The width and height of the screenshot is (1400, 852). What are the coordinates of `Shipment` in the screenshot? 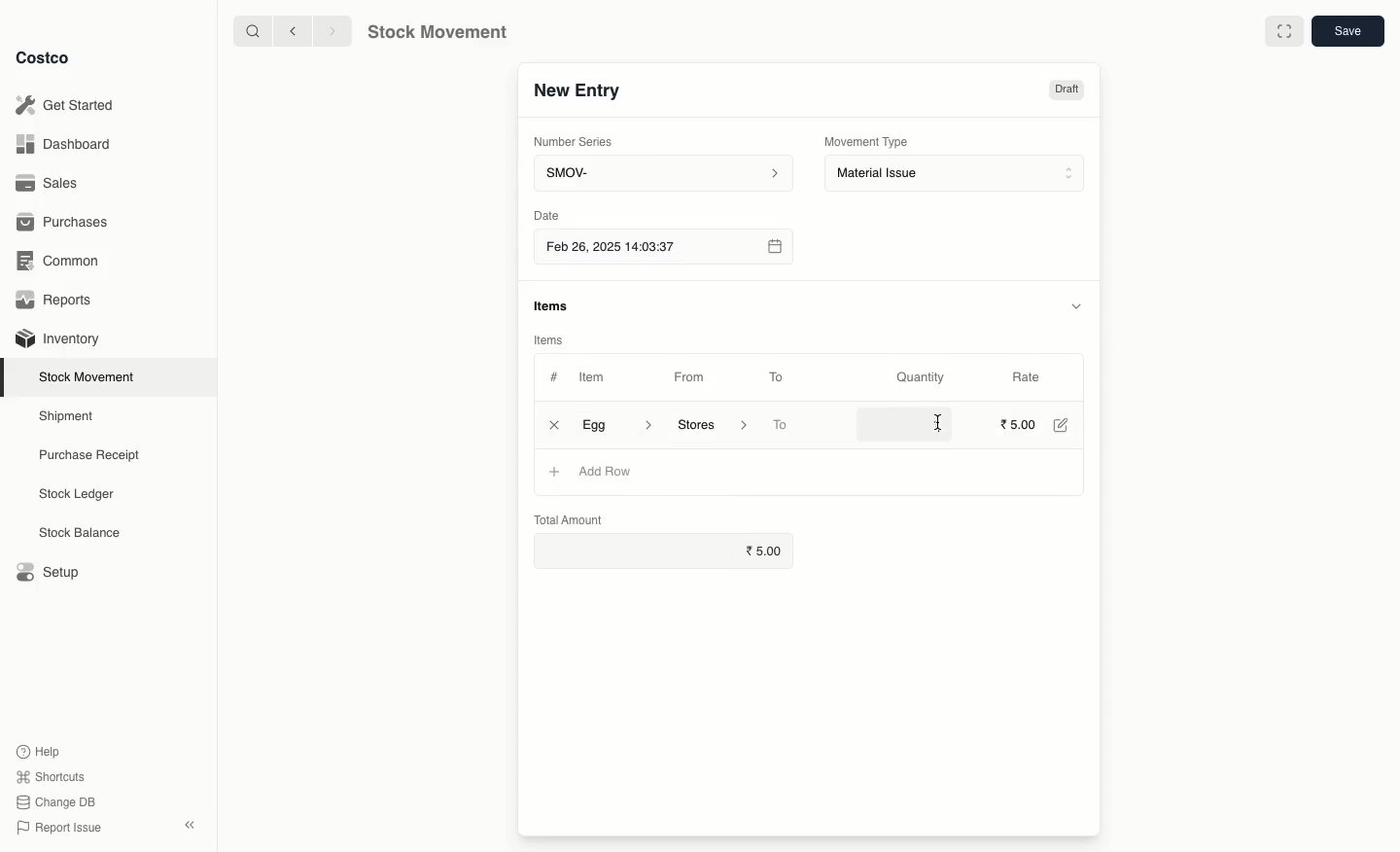 It's located at (67, 417).